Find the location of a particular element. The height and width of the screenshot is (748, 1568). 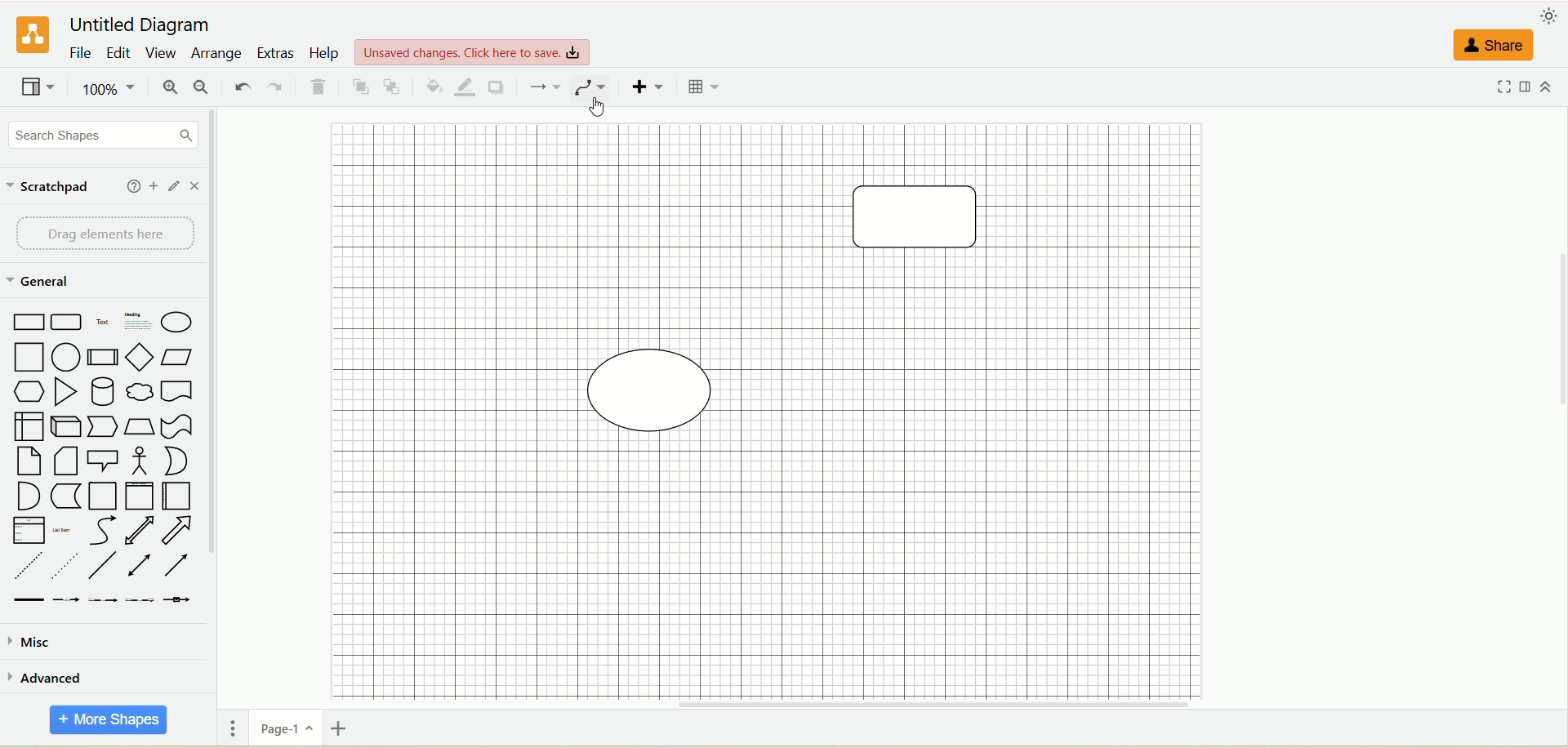

scratchpad is located at coordinates (52, 188).